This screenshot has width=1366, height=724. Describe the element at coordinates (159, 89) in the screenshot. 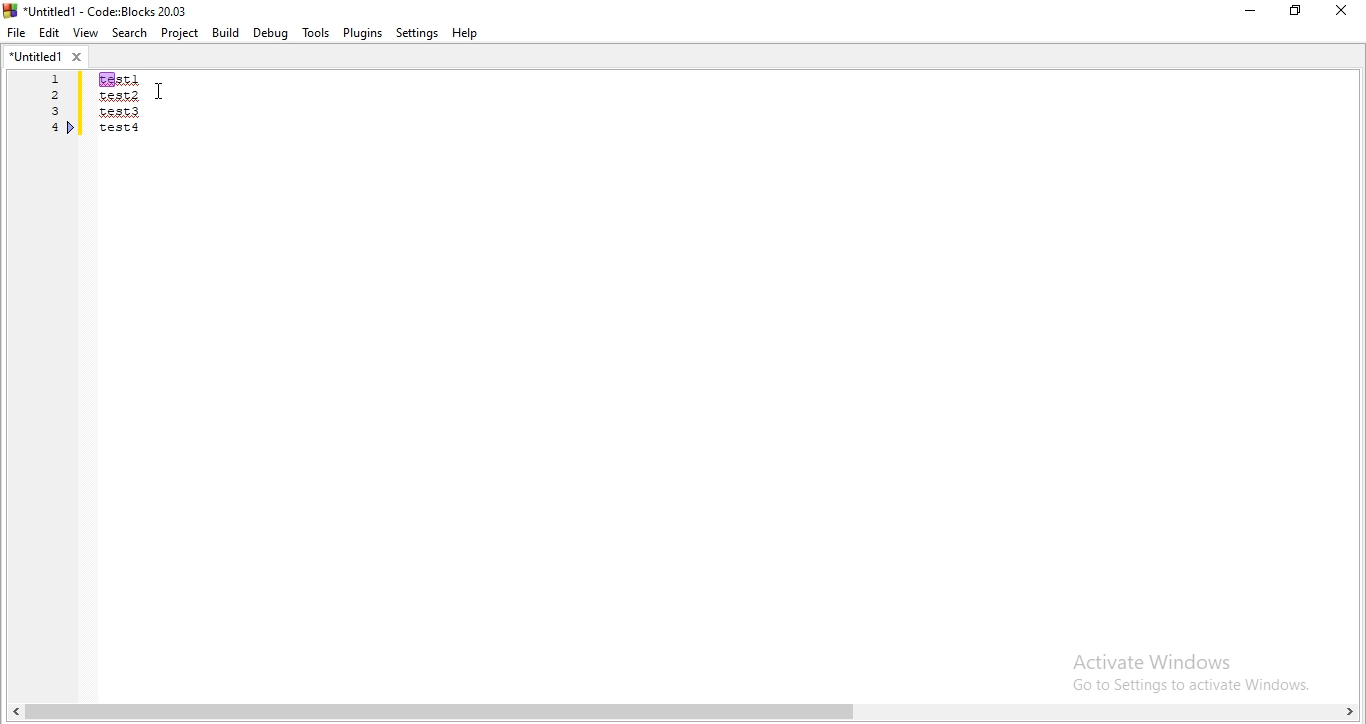

I see `cursor` at that location.